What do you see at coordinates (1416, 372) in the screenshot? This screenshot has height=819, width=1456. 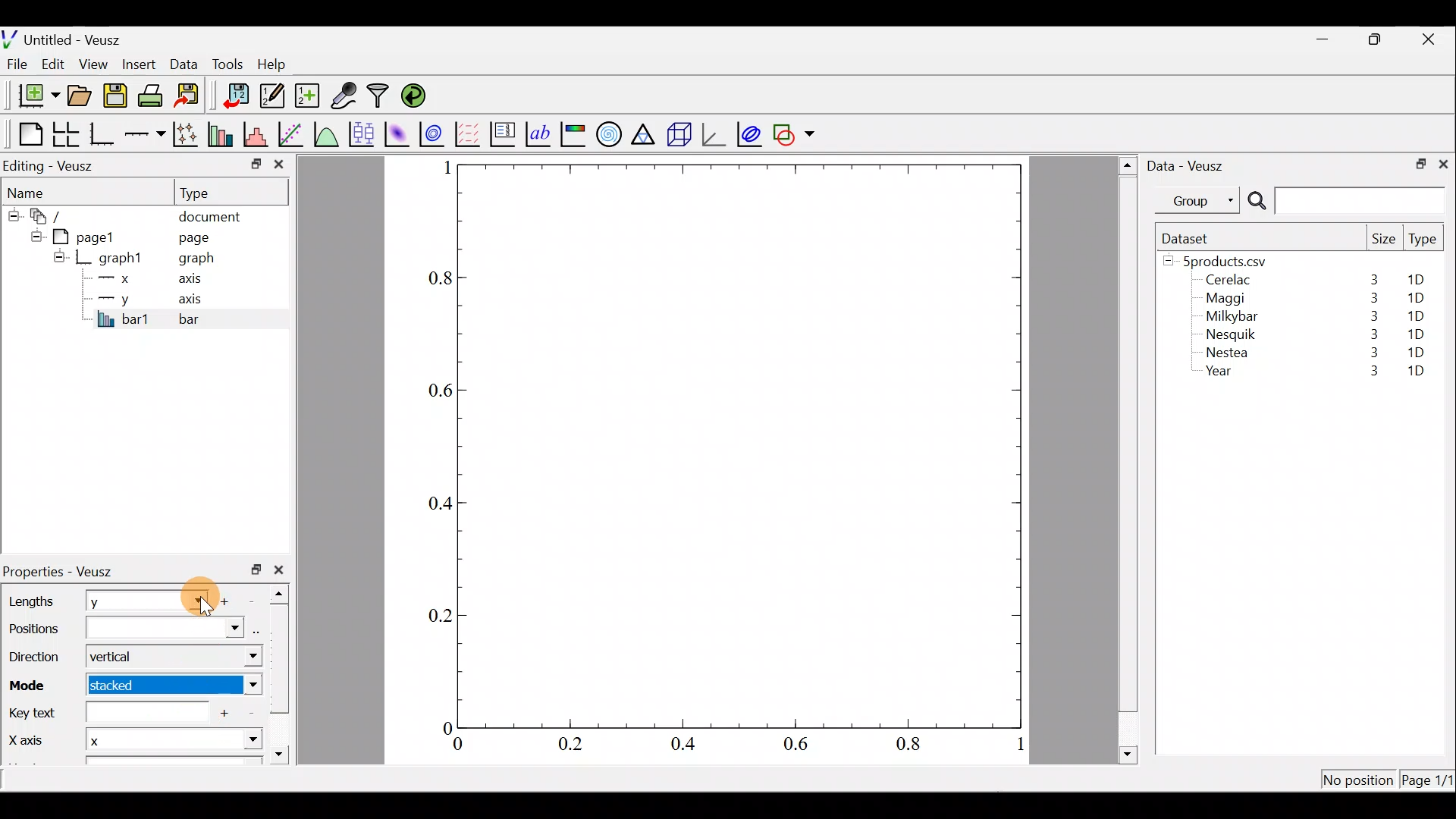 I see `1D` at bounding box center [1416, 372].